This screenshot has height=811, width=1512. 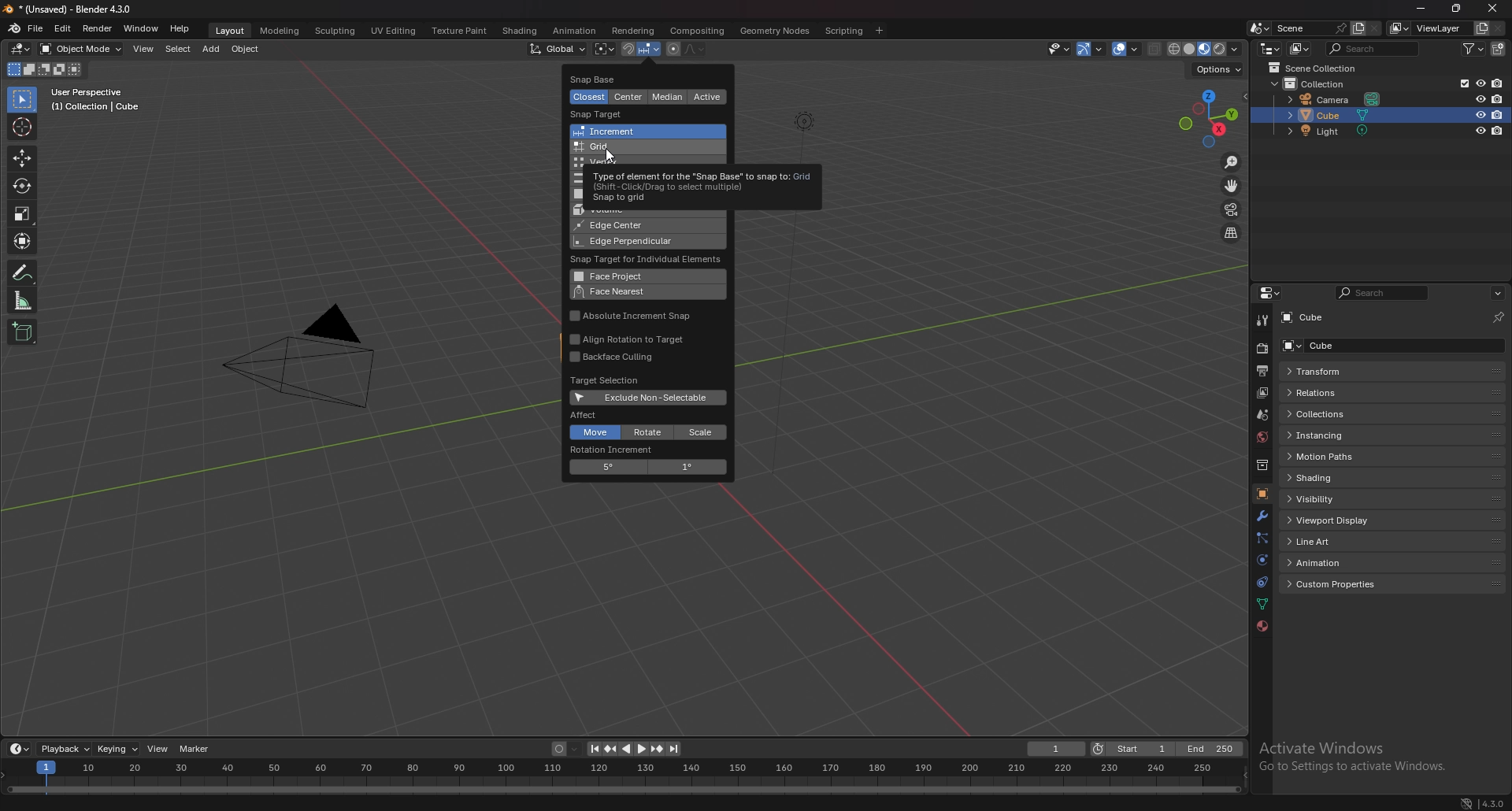 I want to click on view layer, so click(x=1260, y=394).